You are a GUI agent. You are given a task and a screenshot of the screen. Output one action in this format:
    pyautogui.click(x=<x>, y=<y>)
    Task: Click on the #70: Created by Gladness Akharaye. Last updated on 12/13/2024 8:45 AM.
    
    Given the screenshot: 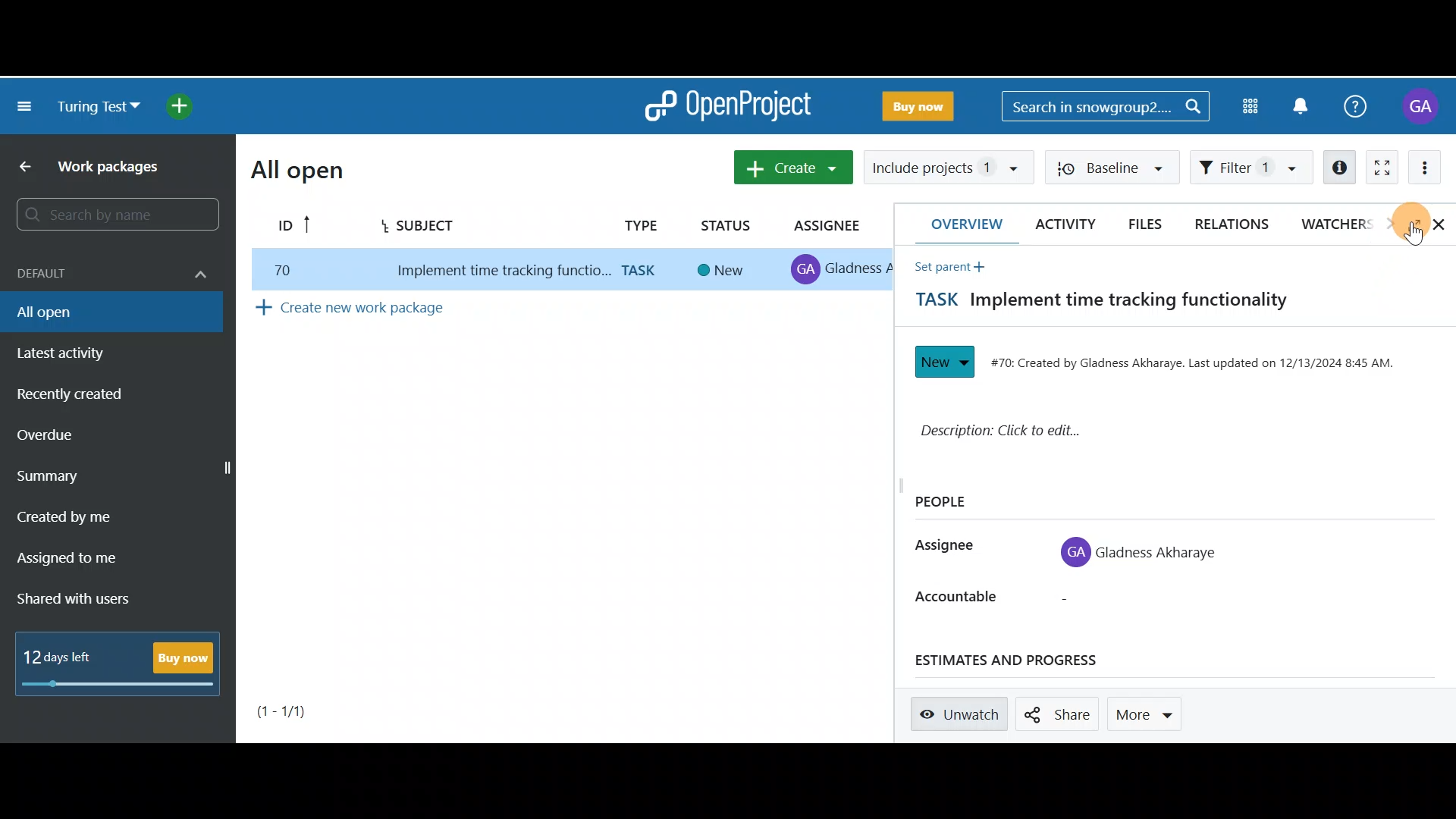 What is the action you would take?
    pyautogui.click(x=1196, y=360)
    